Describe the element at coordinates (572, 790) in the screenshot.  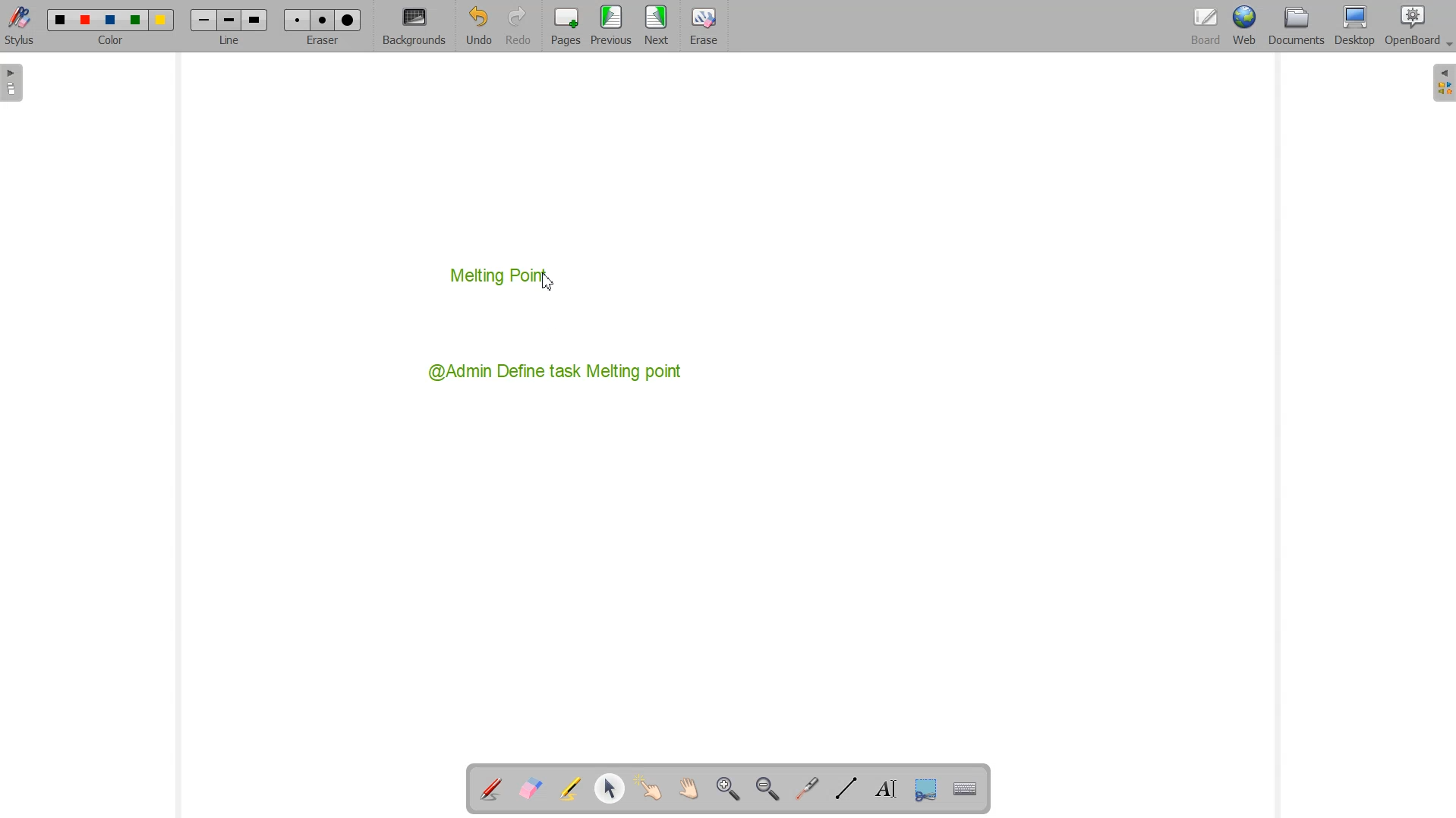
I see `Highlight` at that location.